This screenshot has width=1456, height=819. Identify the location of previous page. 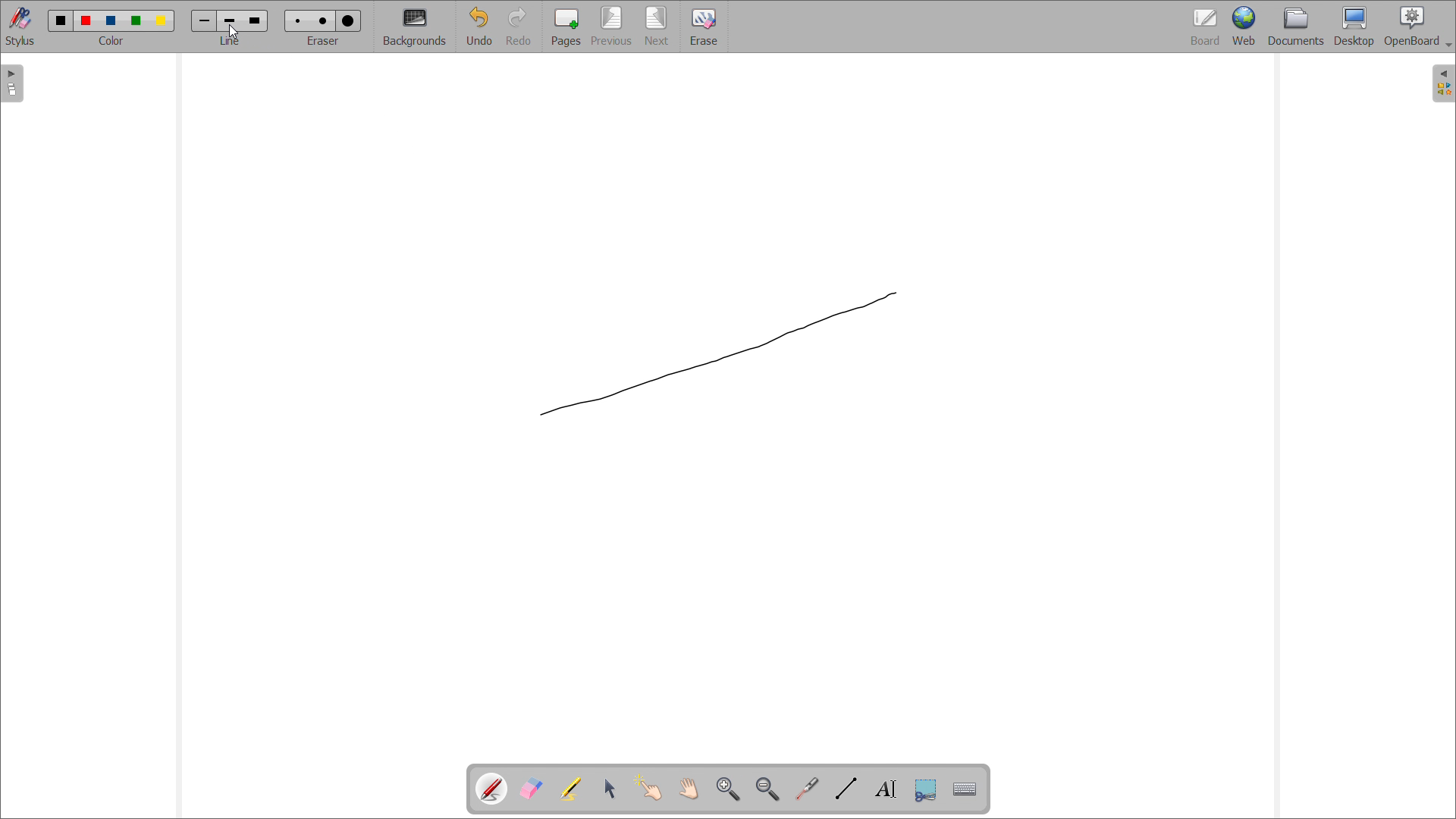
(612, 26).